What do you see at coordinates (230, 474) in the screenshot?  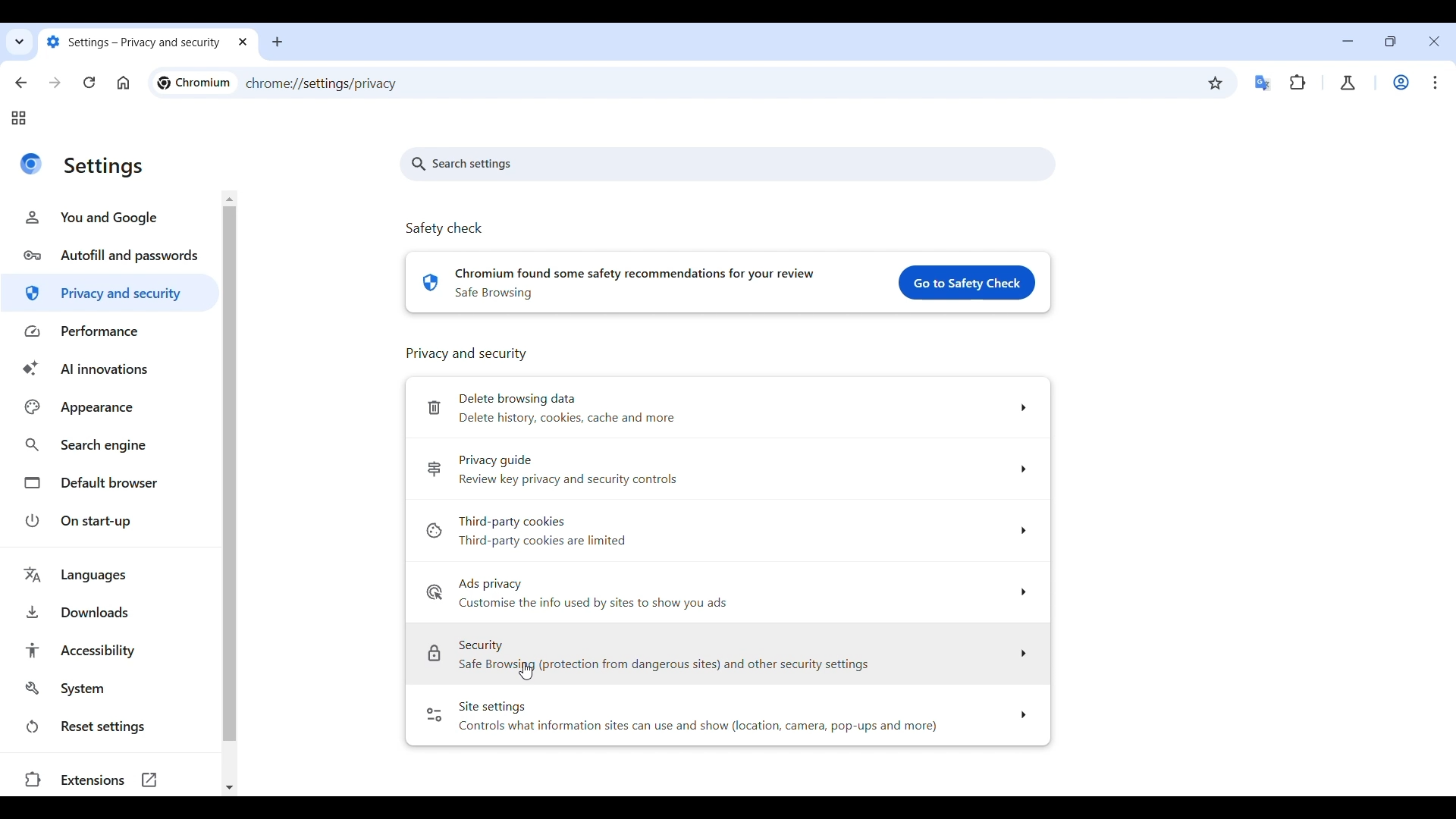 I see `Vertical slide bar` at bounding box center [230, 474].